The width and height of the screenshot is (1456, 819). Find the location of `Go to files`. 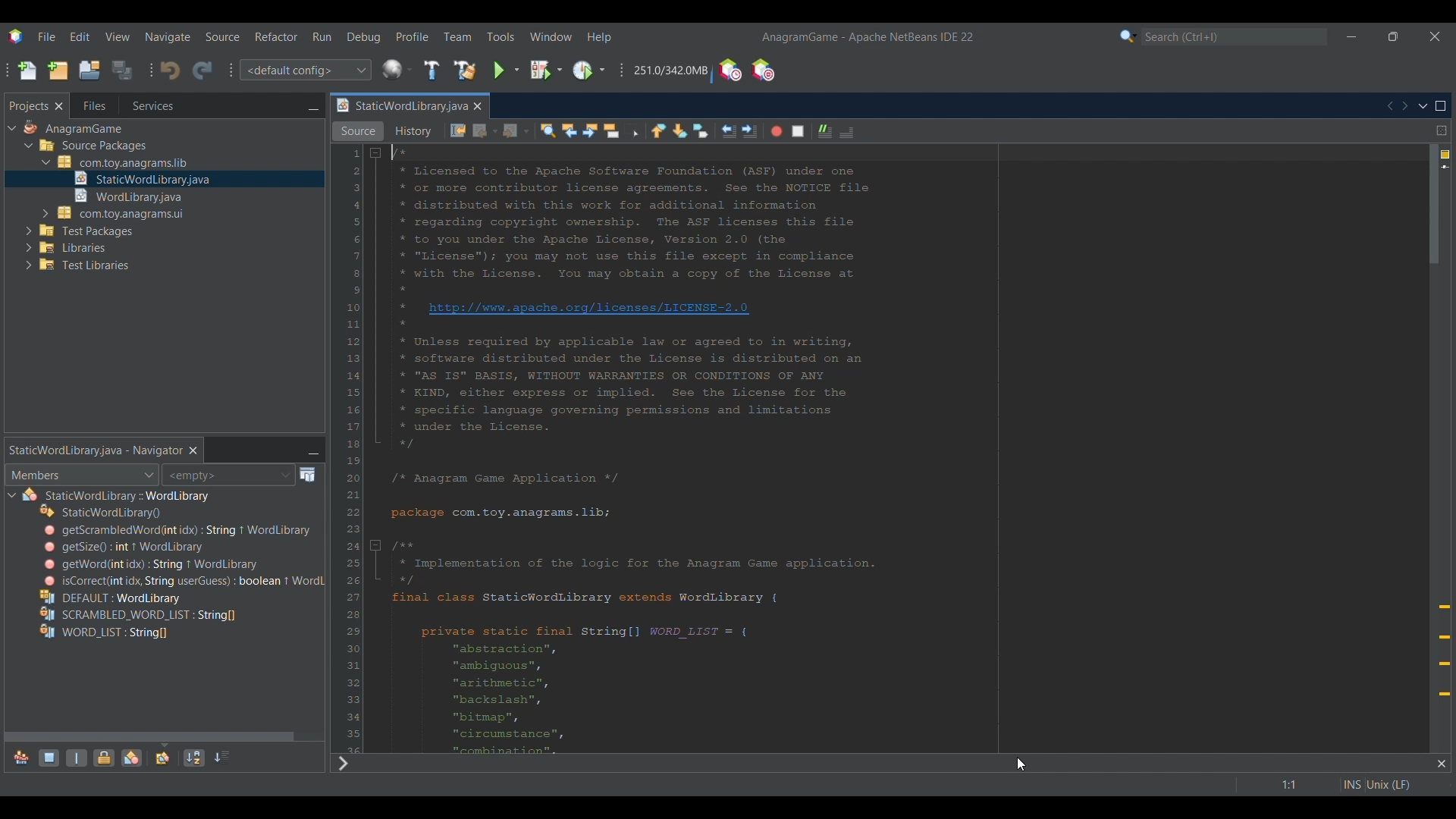

Go to files is located at coordinates (93, 105).